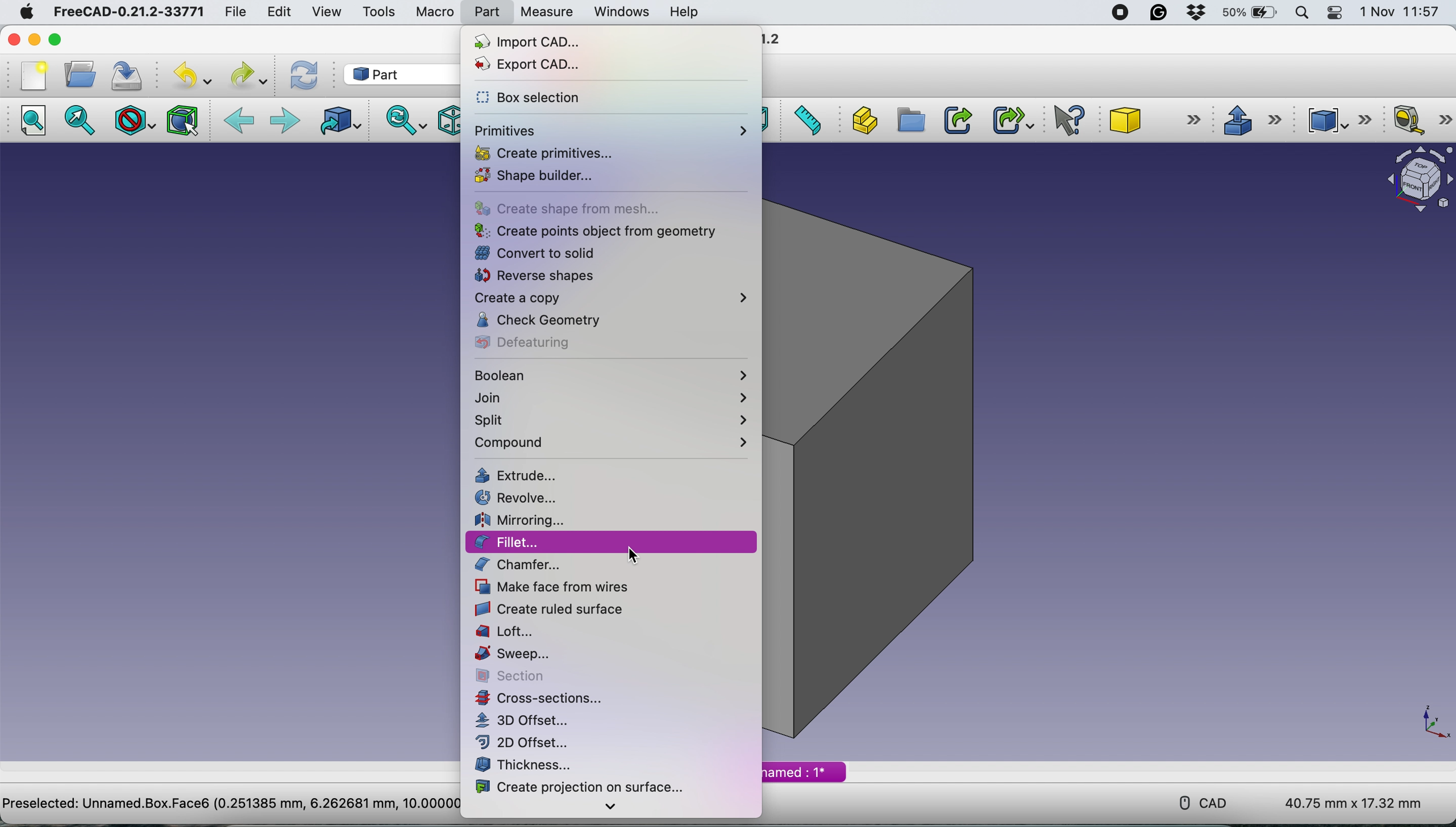  What do you see at coordinates (1414, 182) in the screenshot?
I see `object interface` at bounding box center [1414, 182].